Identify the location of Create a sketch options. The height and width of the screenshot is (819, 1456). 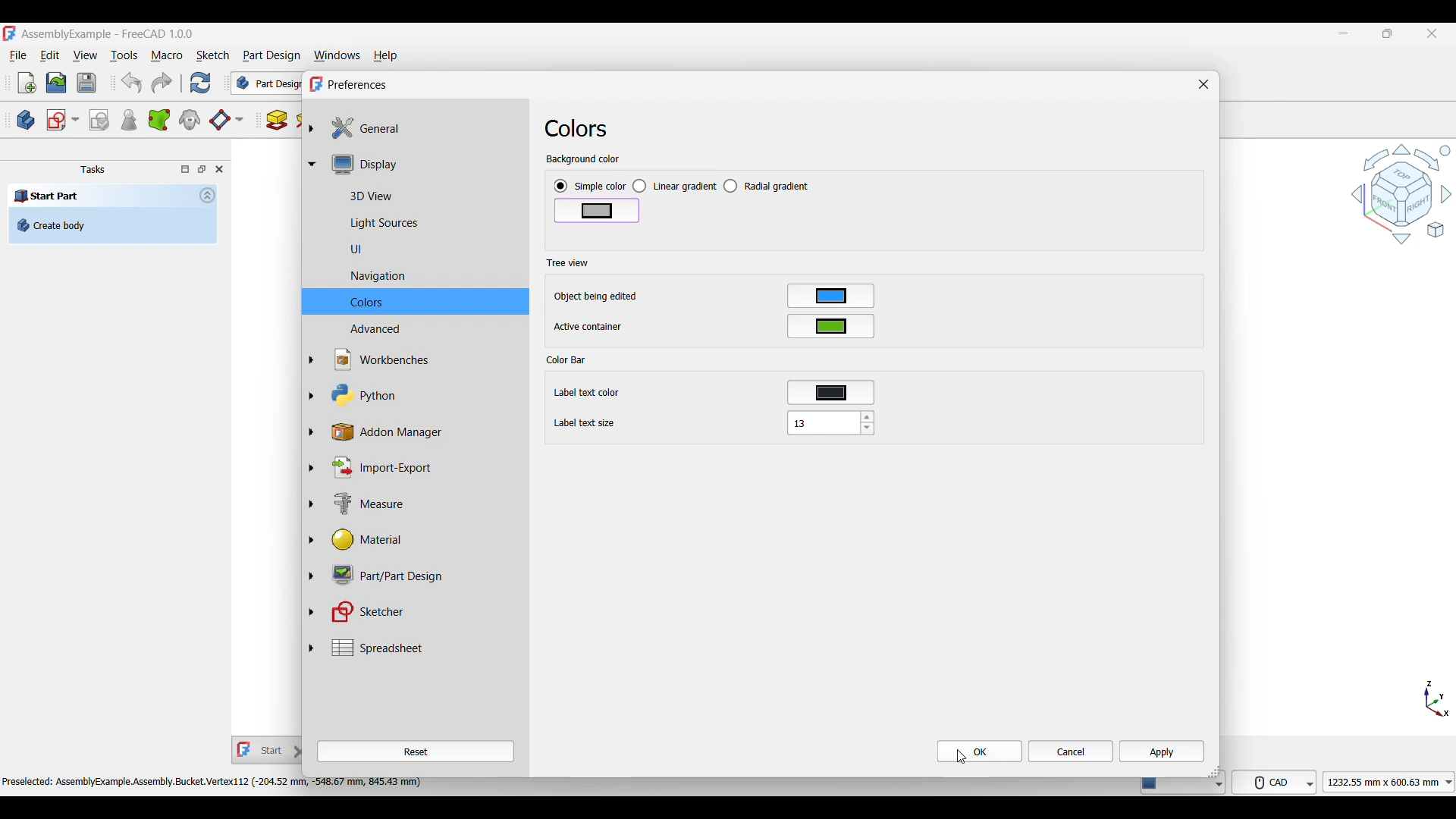
(63, 120).